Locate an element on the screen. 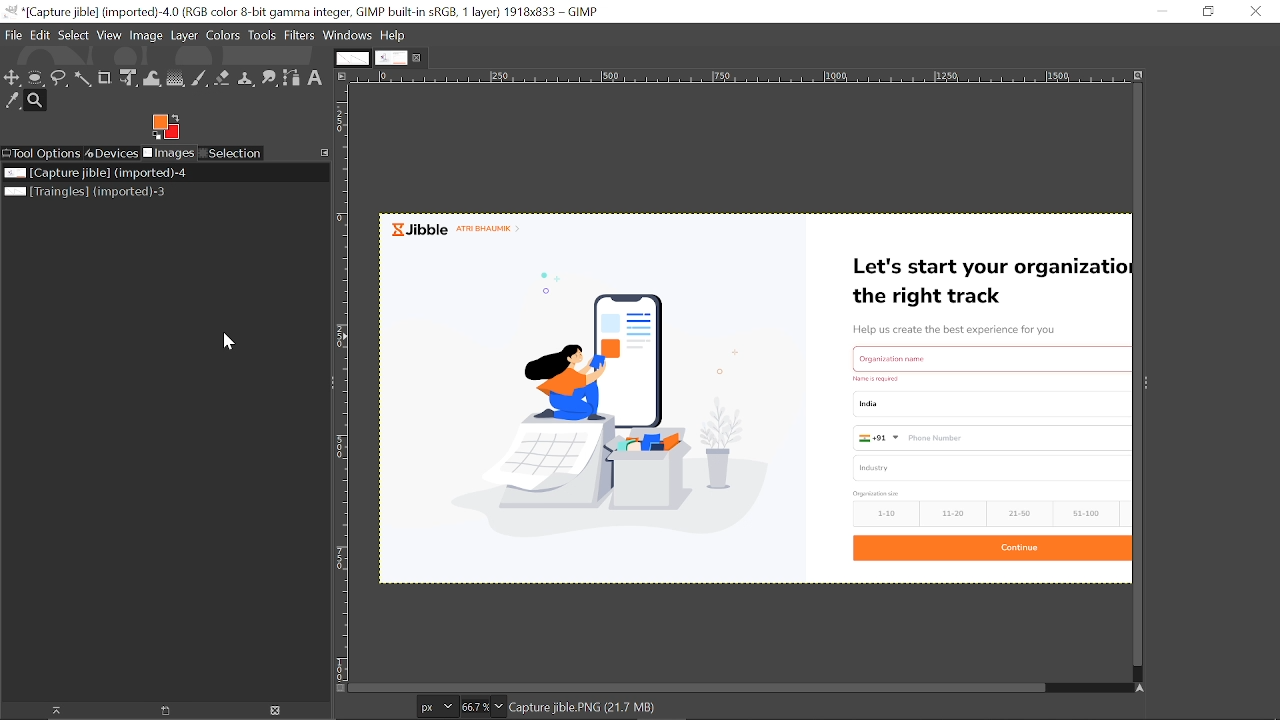 The height and width of the screenshot is (720, 1280). The active background/foreground color is located at coordinates (164, 126).